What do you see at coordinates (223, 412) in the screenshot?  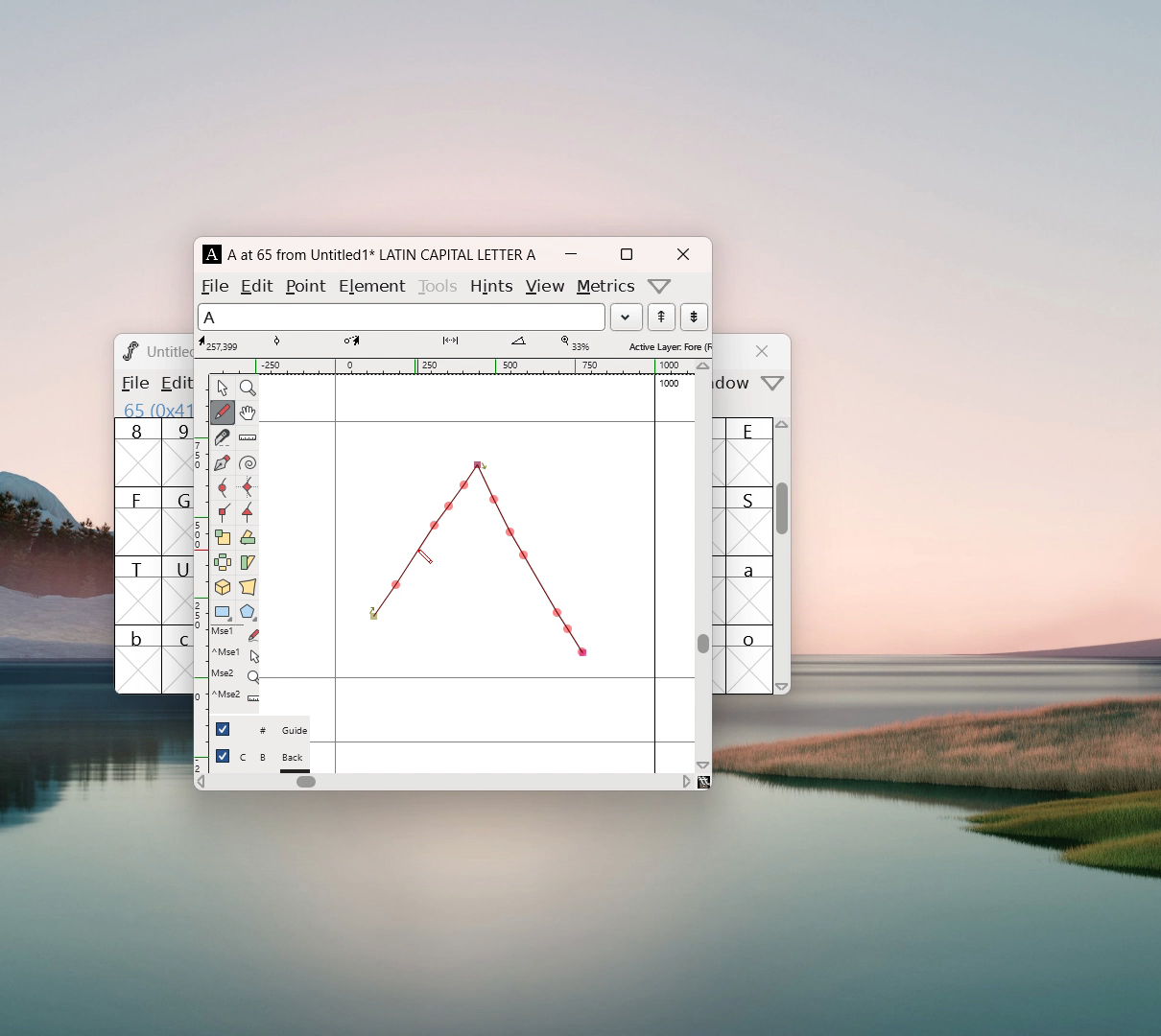 I see `draw a freehand curve` at bounding box center [223, 412].